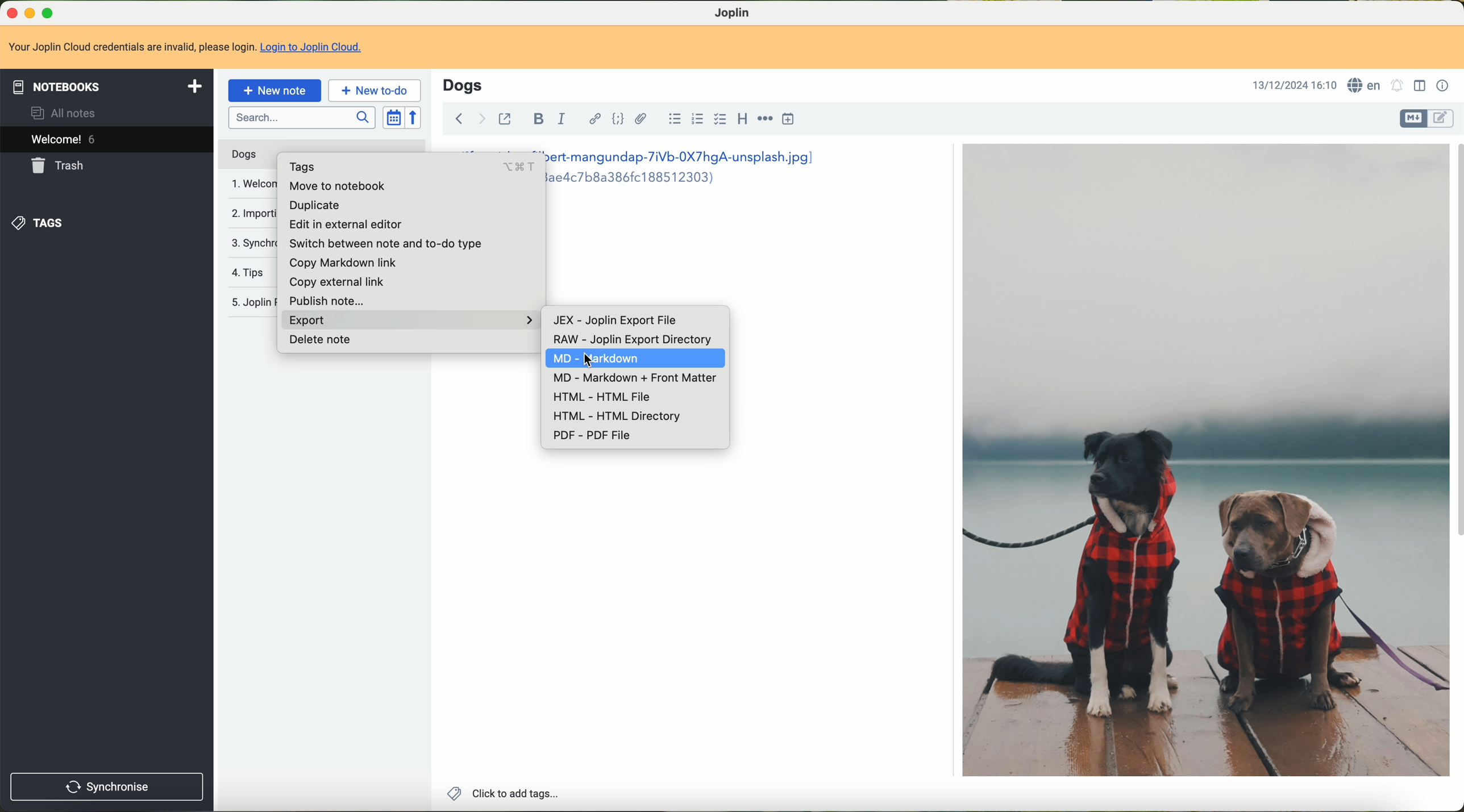 The width and height of the screenshot is (1464, 812). What do you see at coordinates (480, 118) in the screenshot?
I see `navigate foward arrow` at bounding box center [480, 118].